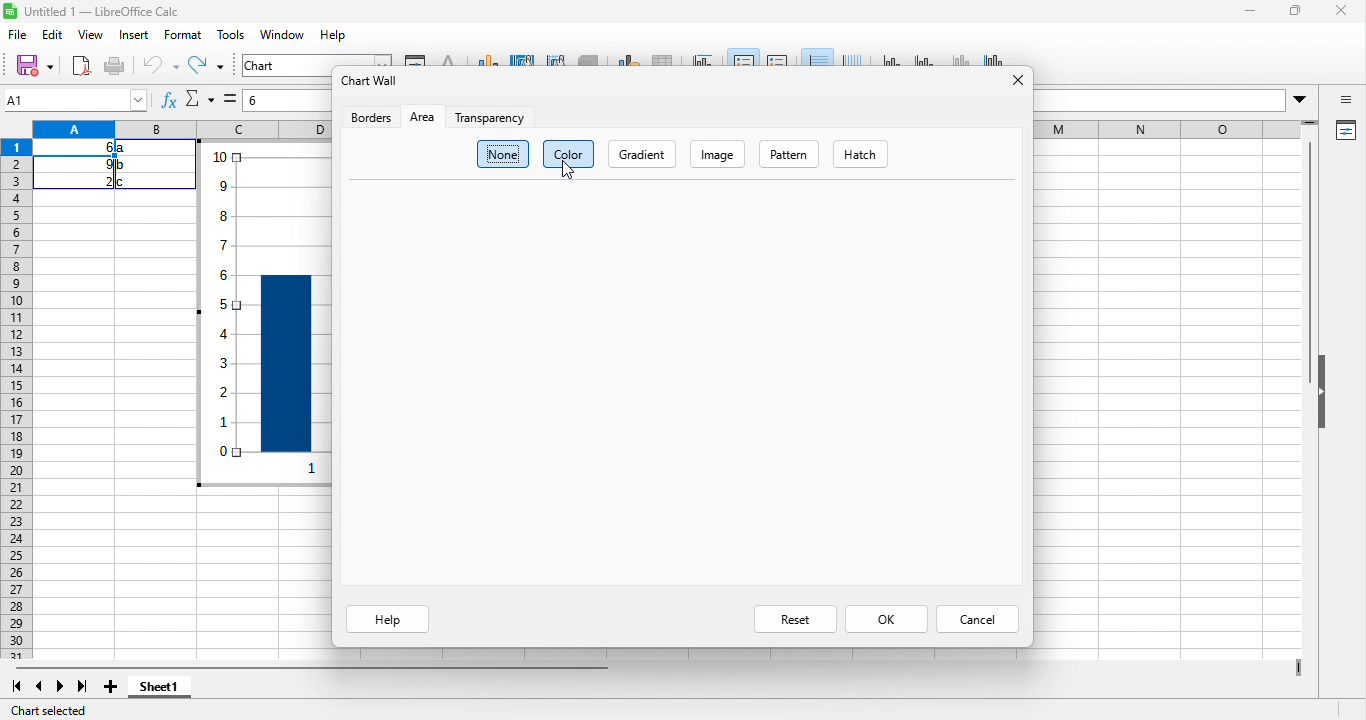 This screenshot has height=720, width=1366. What do you see at coordinates (20, 400) in the screenshot?
I see `row headings` at bounding box center [20, 400].